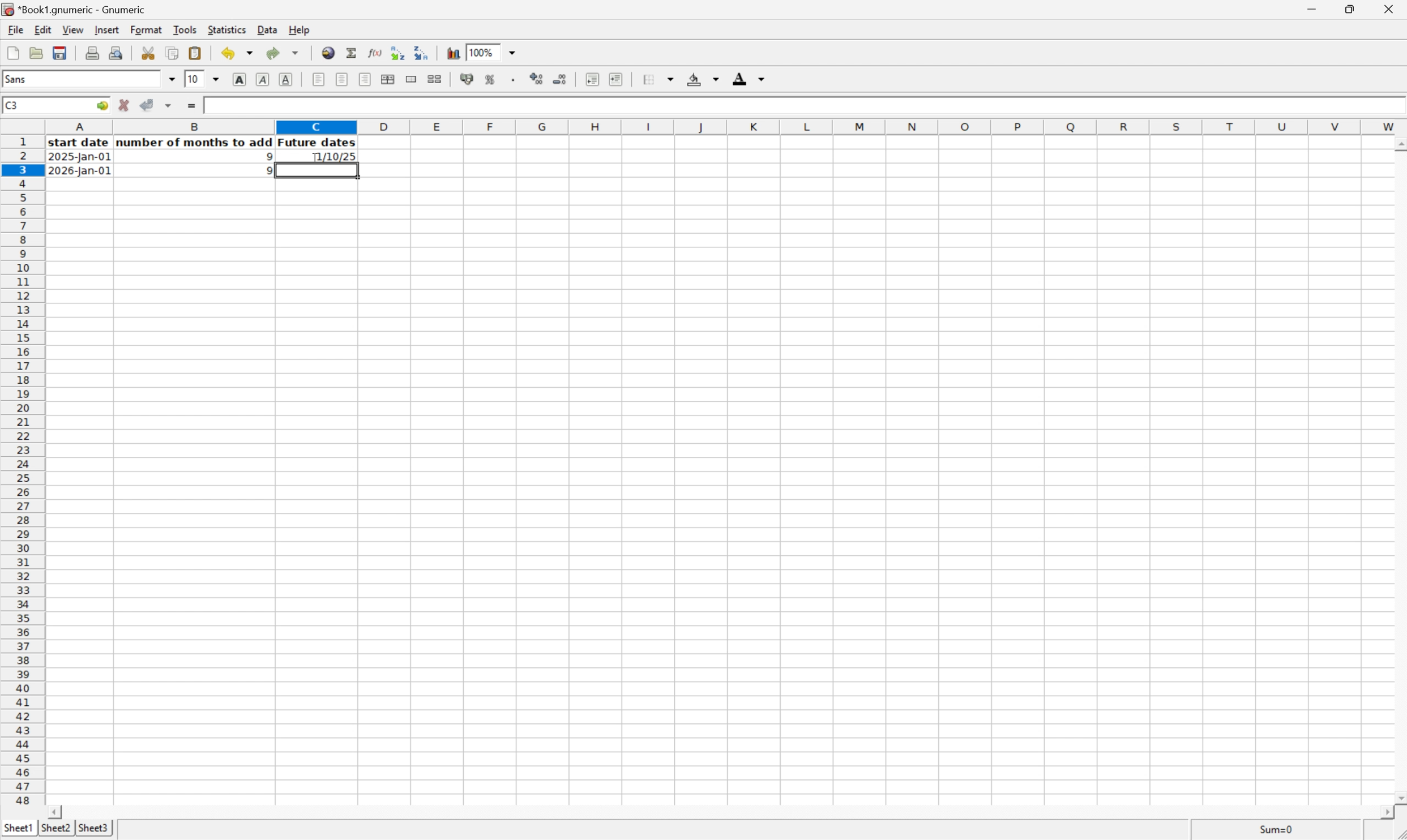 The image size is (1407, 840). I want to click on Center Horizontally, so click(342, 79).